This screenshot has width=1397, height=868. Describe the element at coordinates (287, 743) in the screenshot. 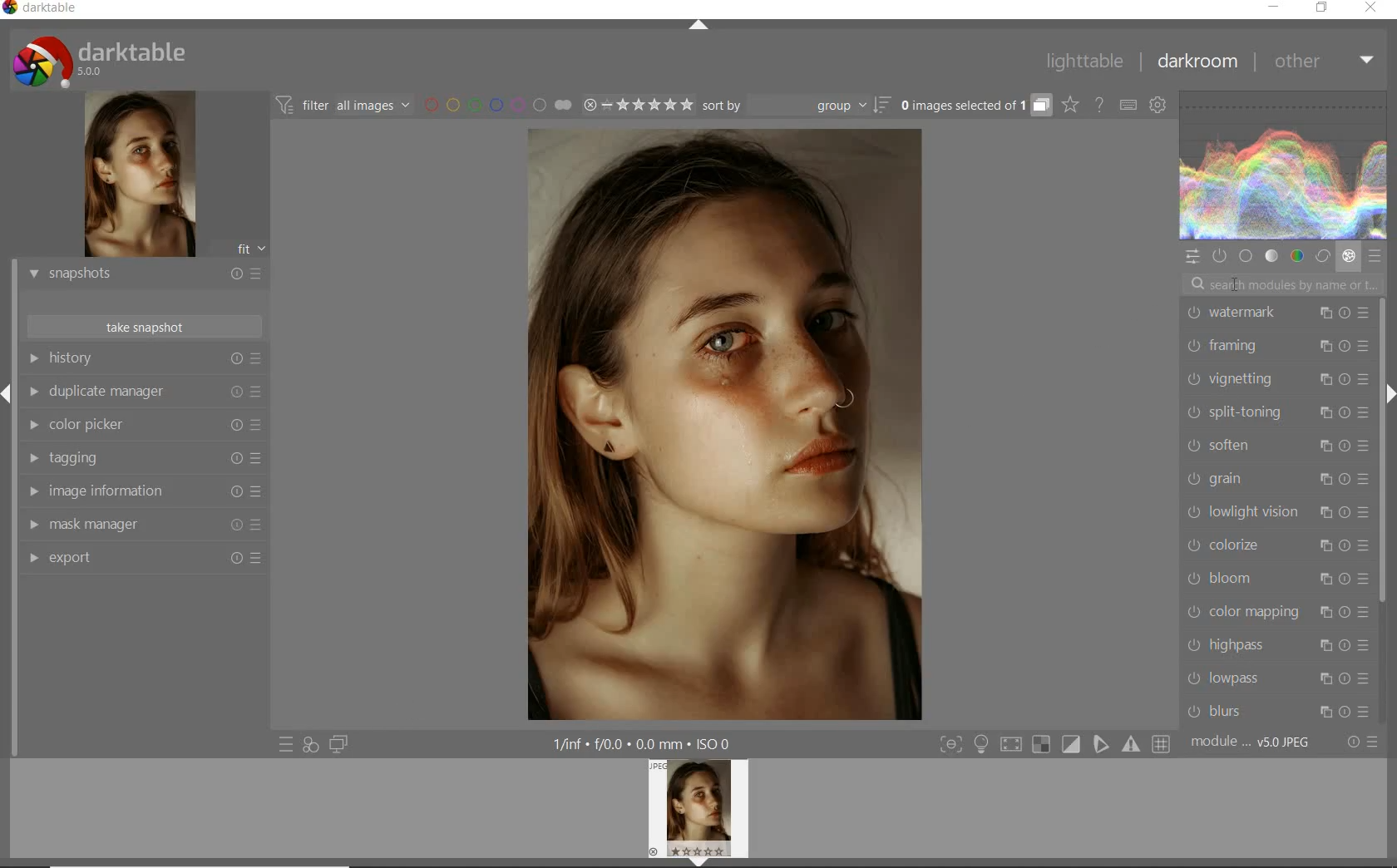

I see `quick access to presets` at that location.